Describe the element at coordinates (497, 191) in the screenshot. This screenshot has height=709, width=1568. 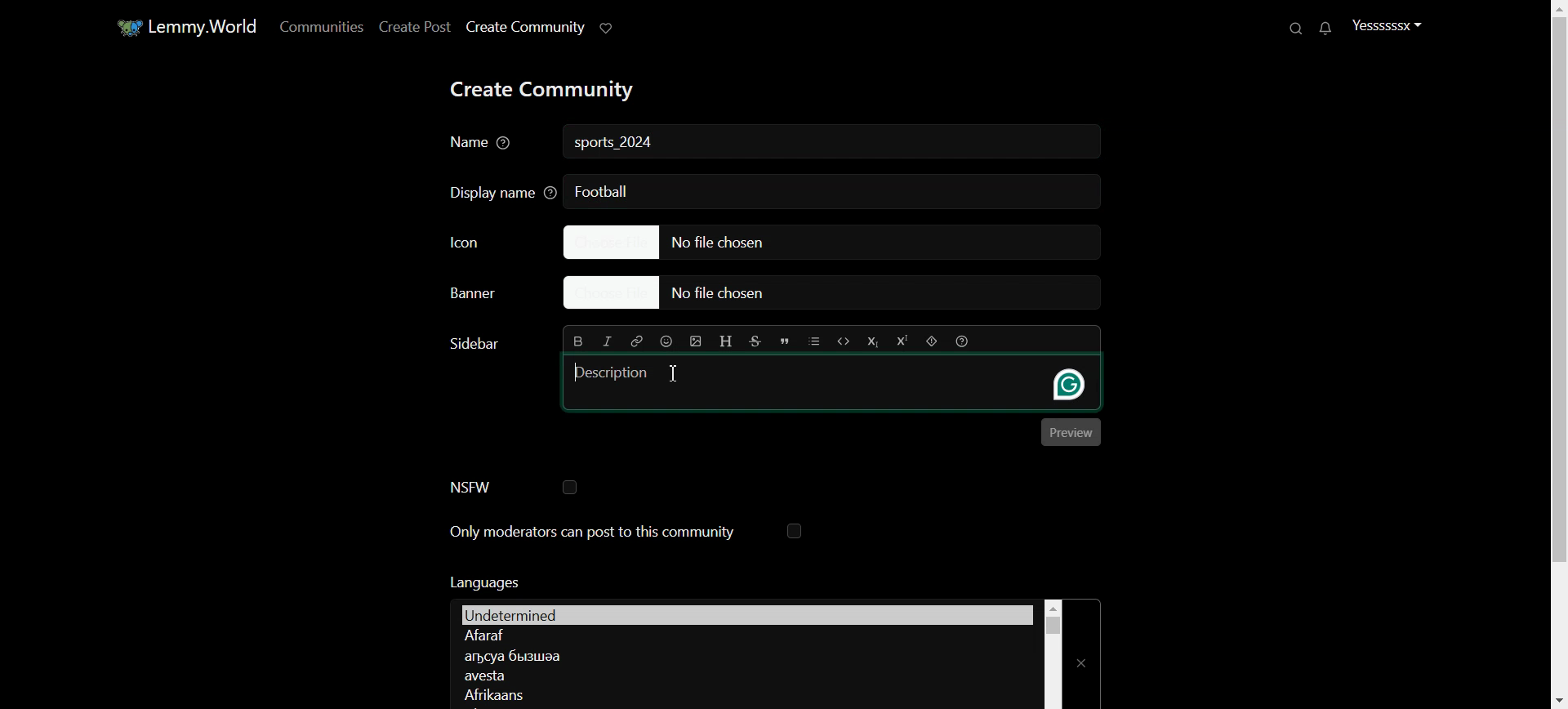
I see `Display name` at that location.